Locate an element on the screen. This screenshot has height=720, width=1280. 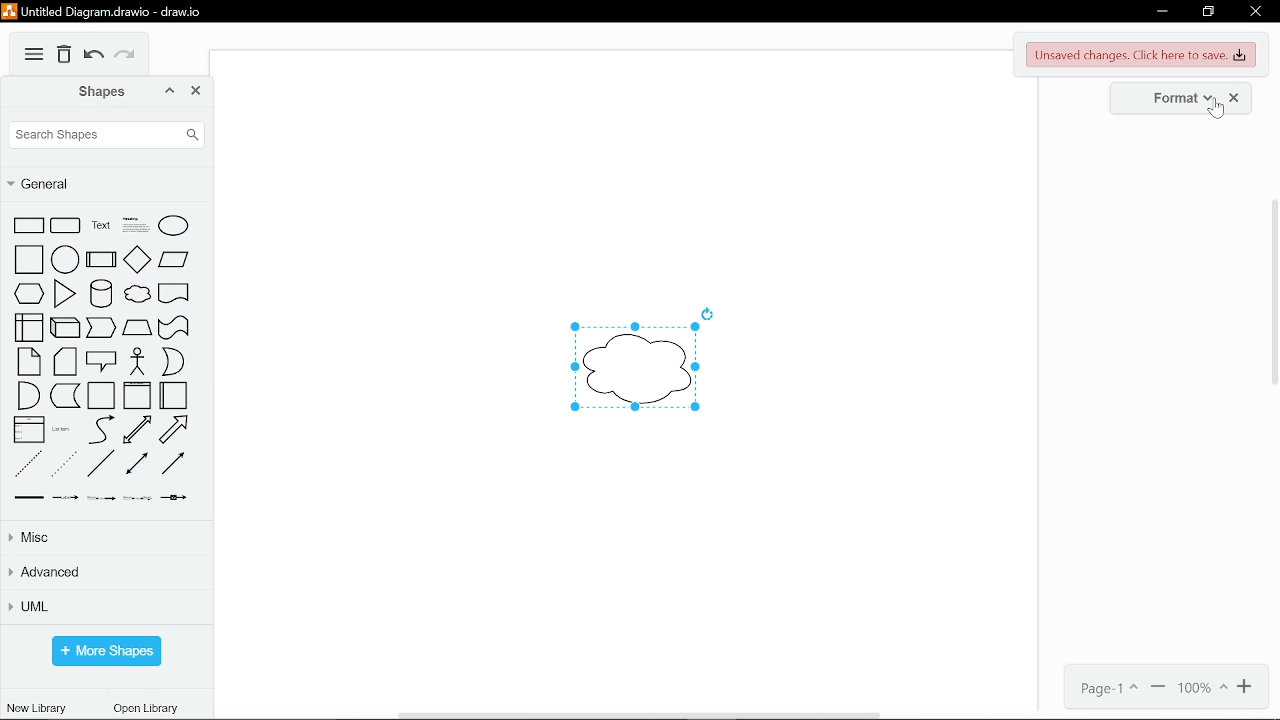
horizontal container is located at coordinates (175, 397).